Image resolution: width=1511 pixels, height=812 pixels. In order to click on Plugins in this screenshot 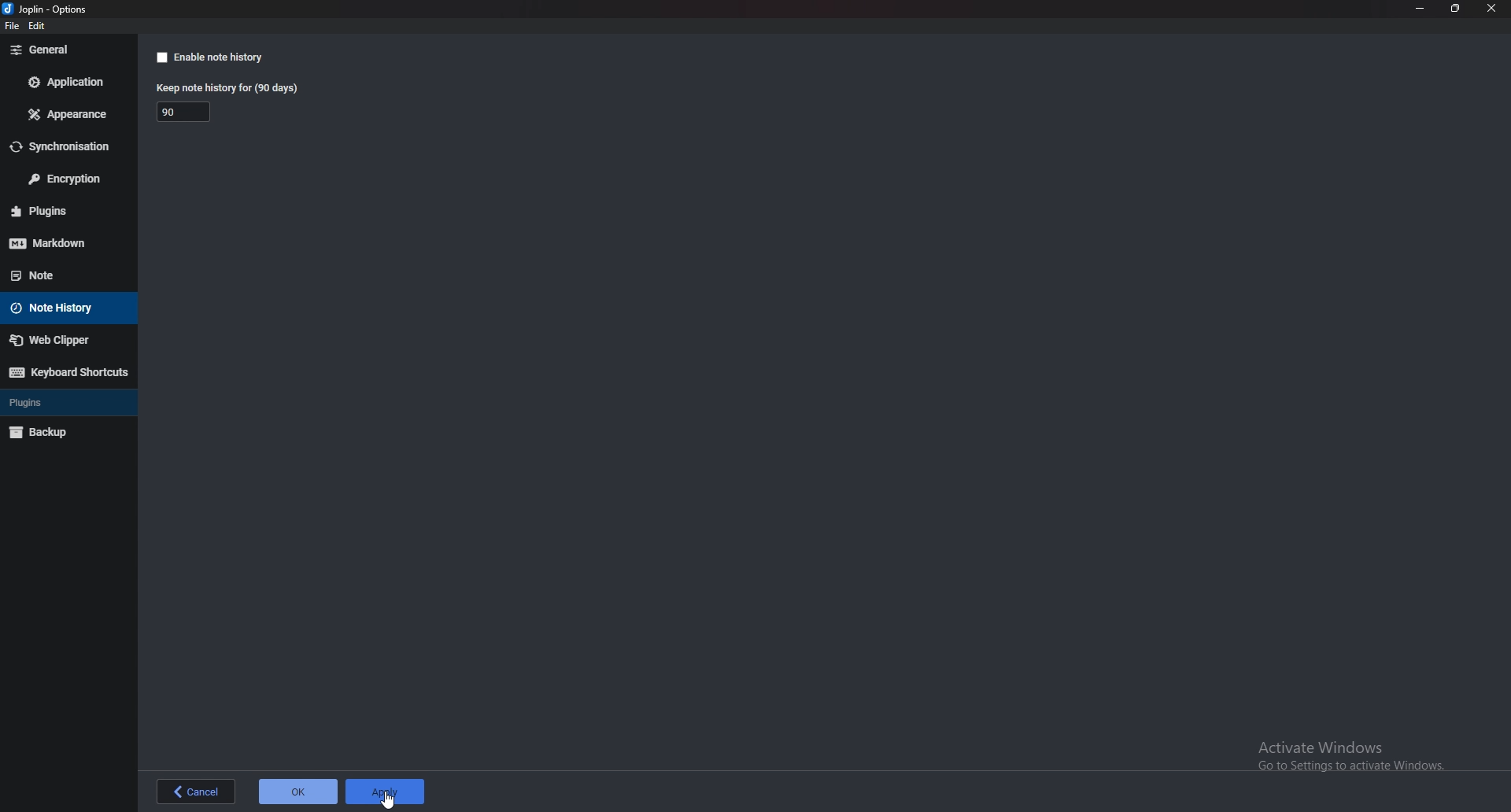, I will do `click(63, 402)`.